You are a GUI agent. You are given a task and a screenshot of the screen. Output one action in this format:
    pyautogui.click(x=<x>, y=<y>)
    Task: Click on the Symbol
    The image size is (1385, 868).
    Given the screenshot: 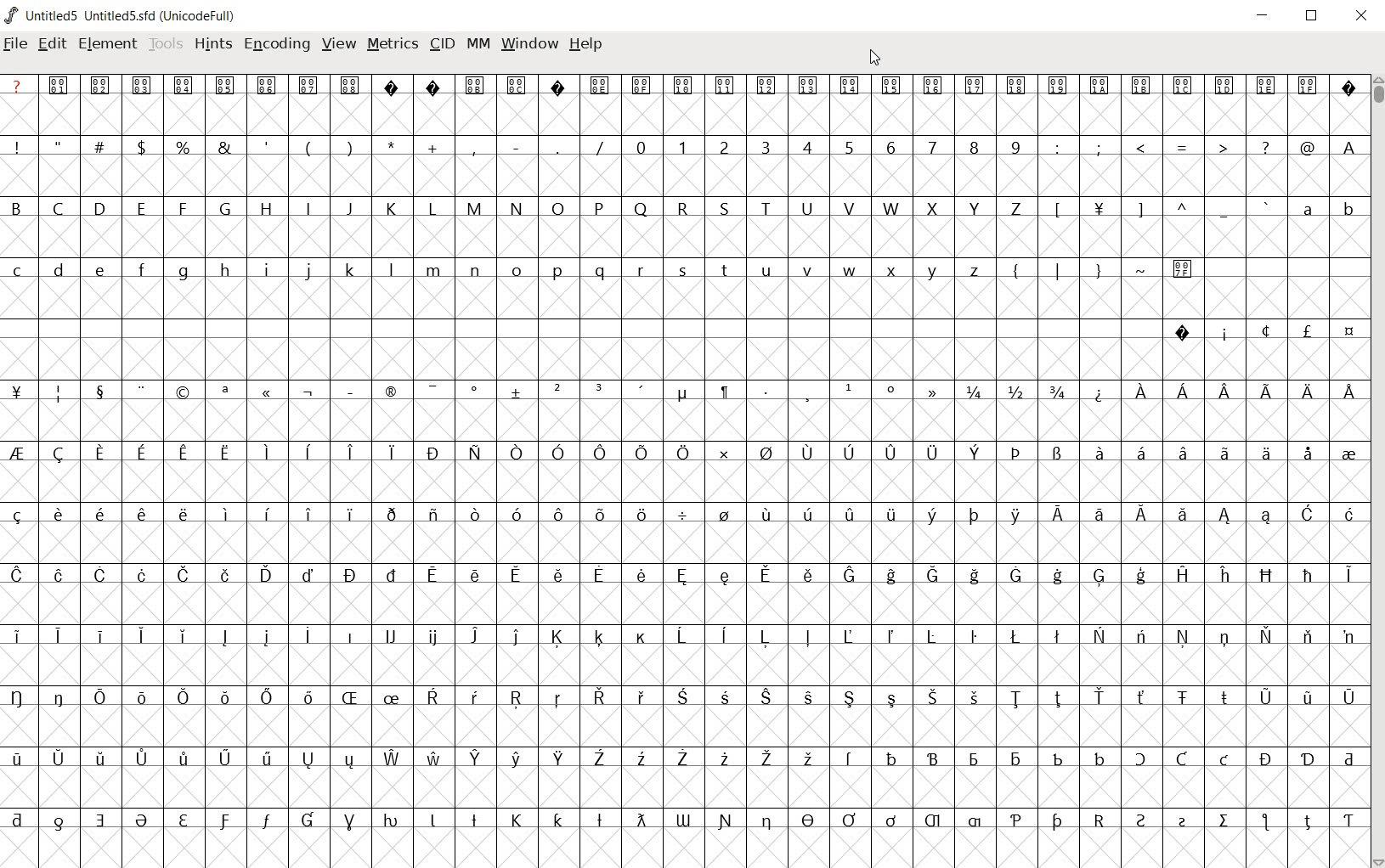 What is the action you would take?
    pyautogui.click(x=266, y=576)
    